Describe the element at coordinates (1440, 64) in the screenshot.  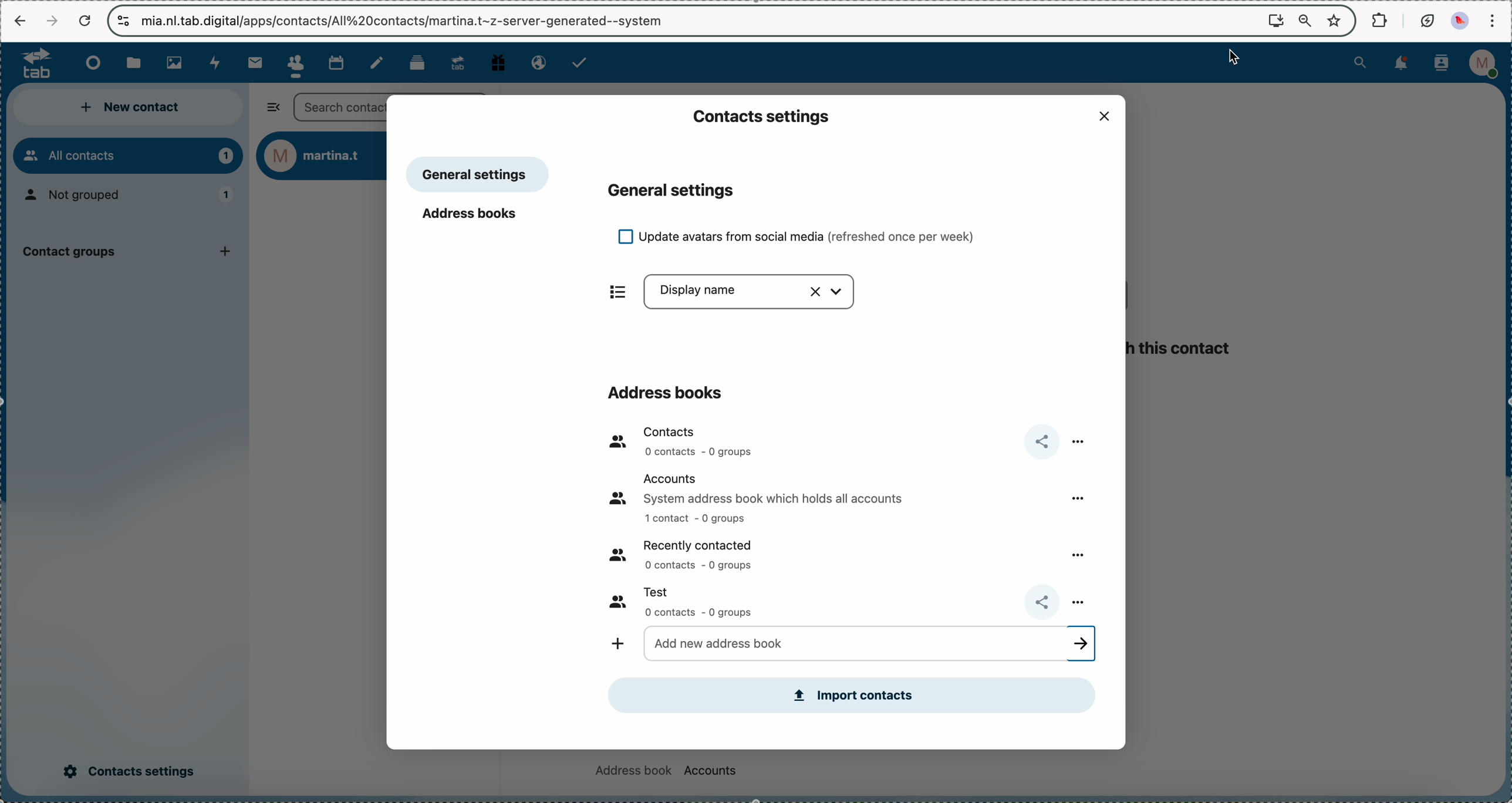
I see `contacts` at that location.